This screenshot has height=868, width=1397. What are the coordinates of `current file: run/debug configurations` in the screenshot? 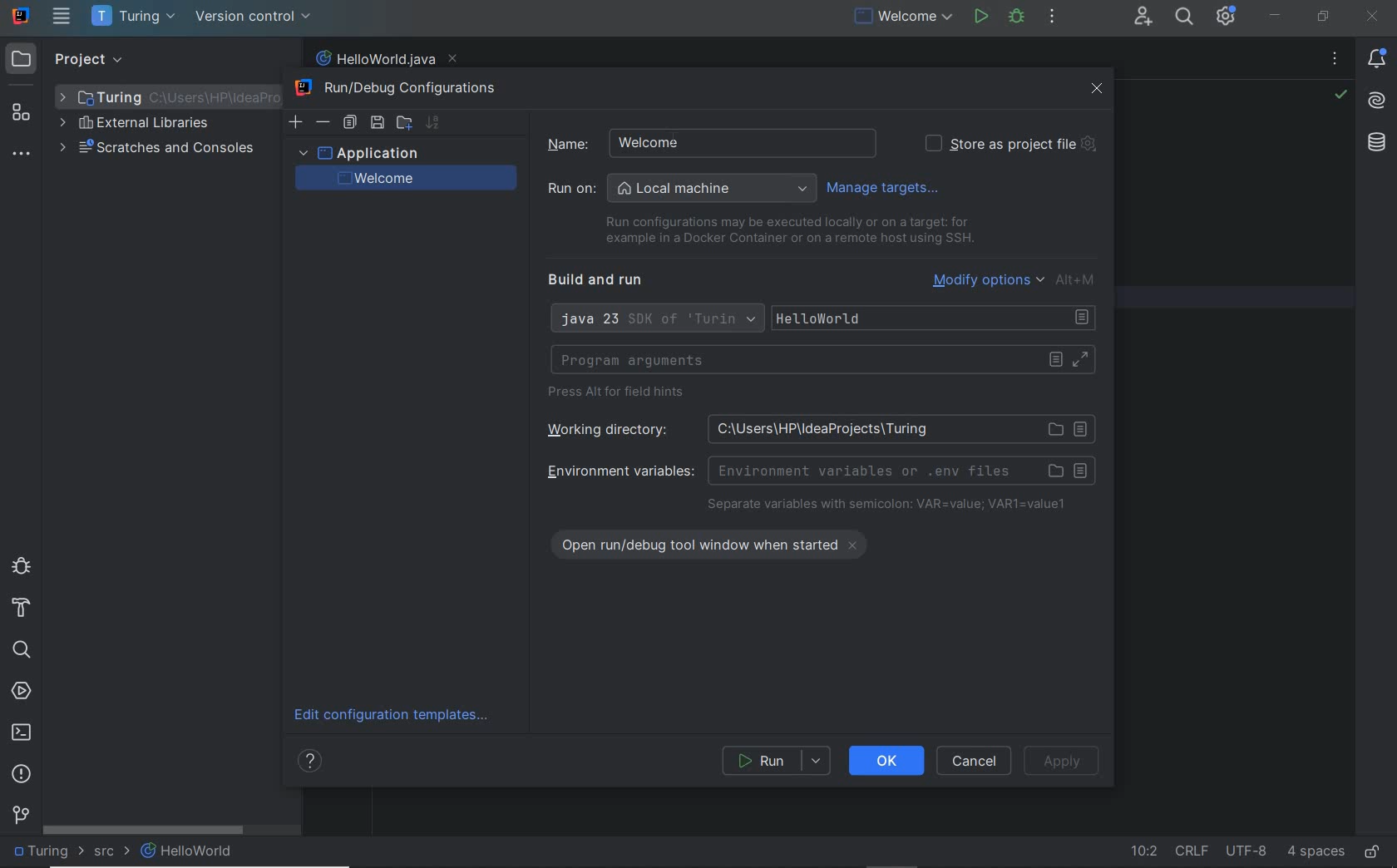 It's located at (901, 17).